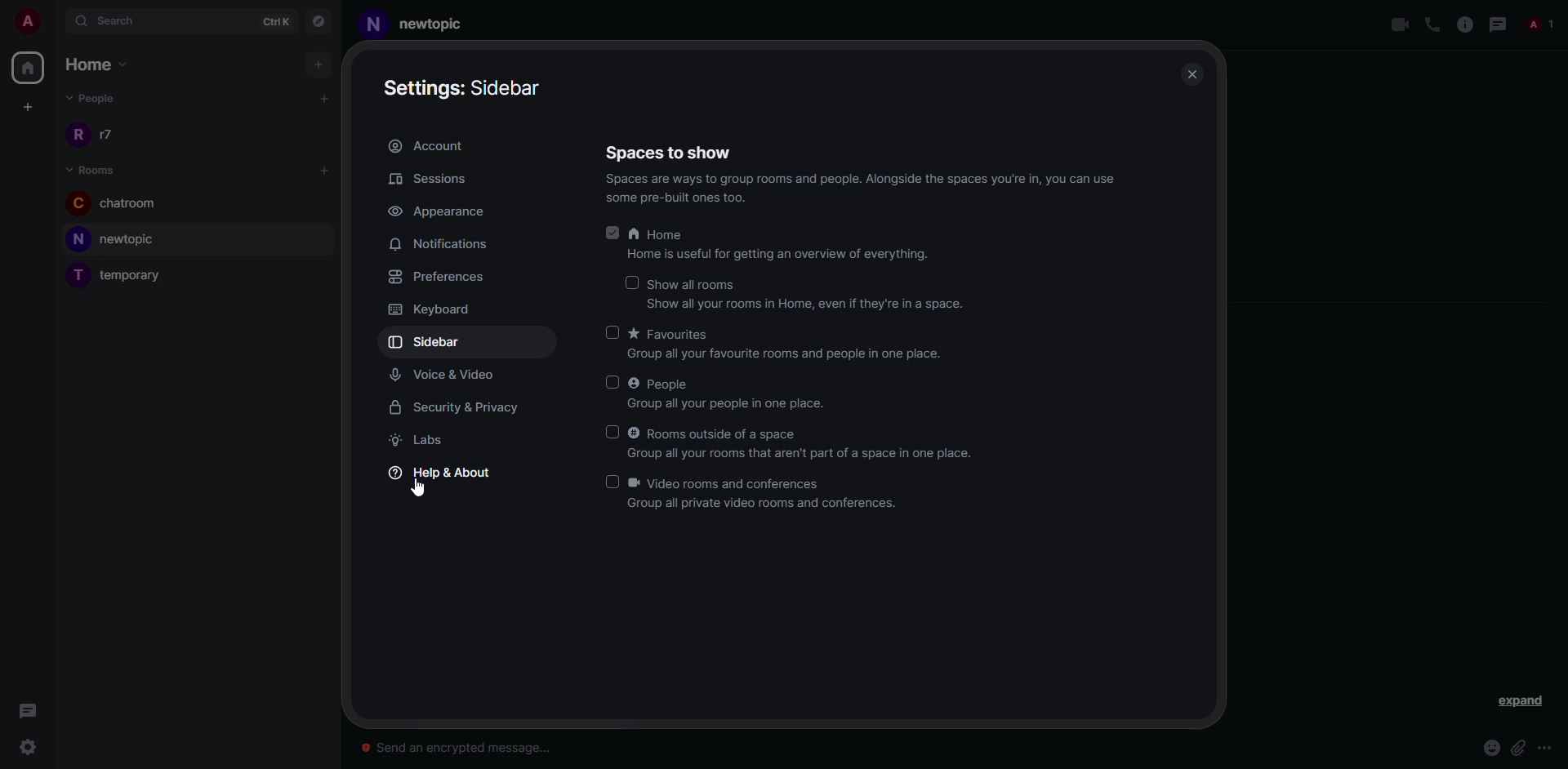 This screenshot has height=769, width=1568. Describe the element at coordinates (87, 746) in the screenshot. I see `quick settings` at that location.